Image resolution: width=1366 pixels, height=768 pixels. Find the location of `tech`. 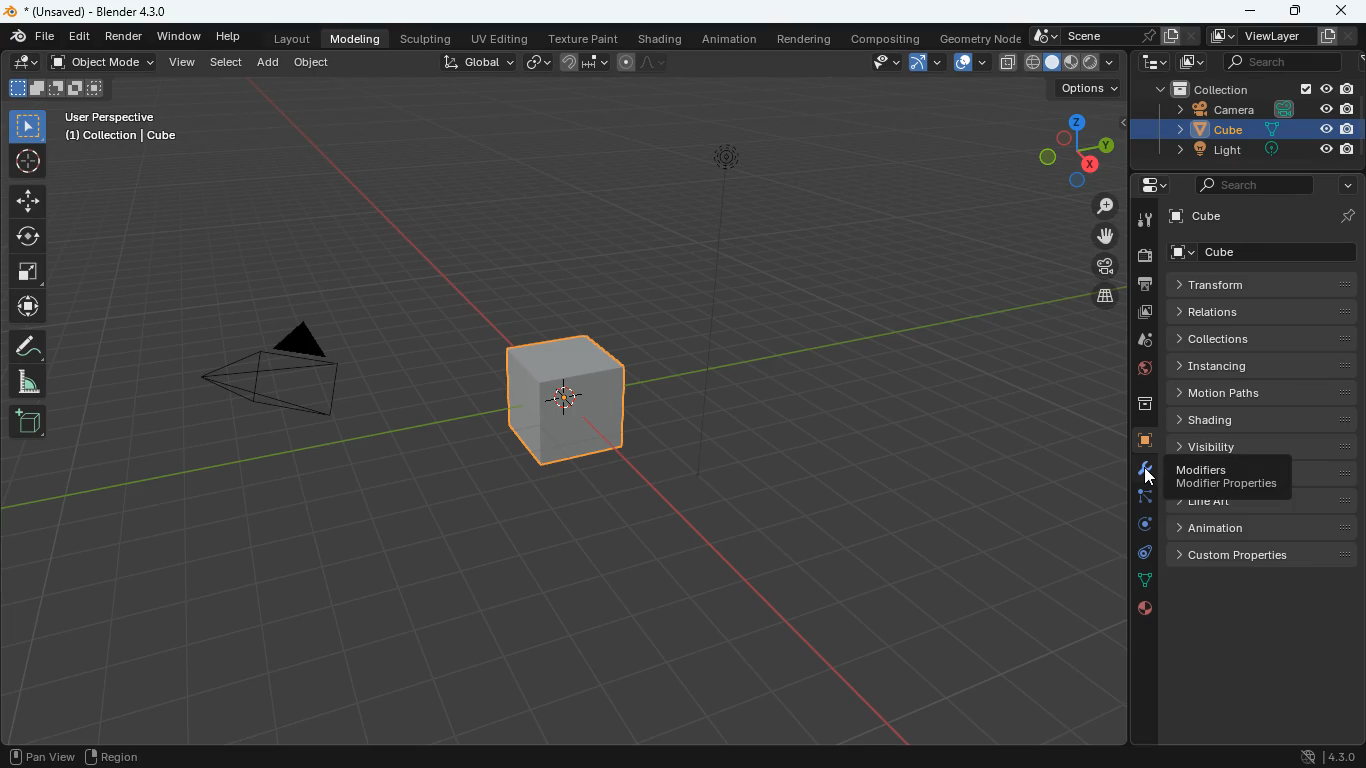

tech is located at coordinates (1147, 63).